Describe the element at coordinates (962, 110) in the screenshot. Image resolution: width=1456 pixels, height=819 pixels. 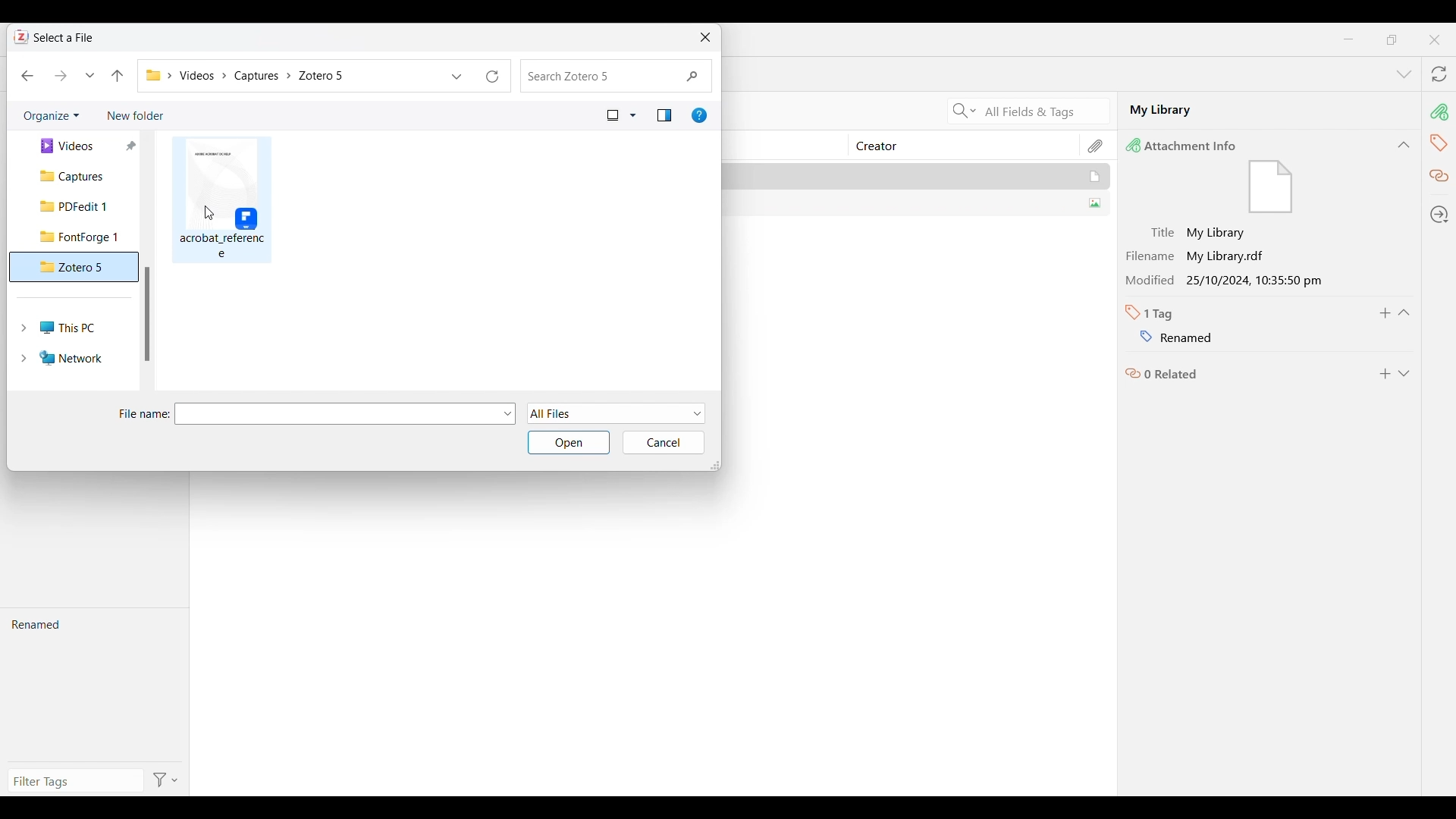
I see `Search criteria options` at that location.